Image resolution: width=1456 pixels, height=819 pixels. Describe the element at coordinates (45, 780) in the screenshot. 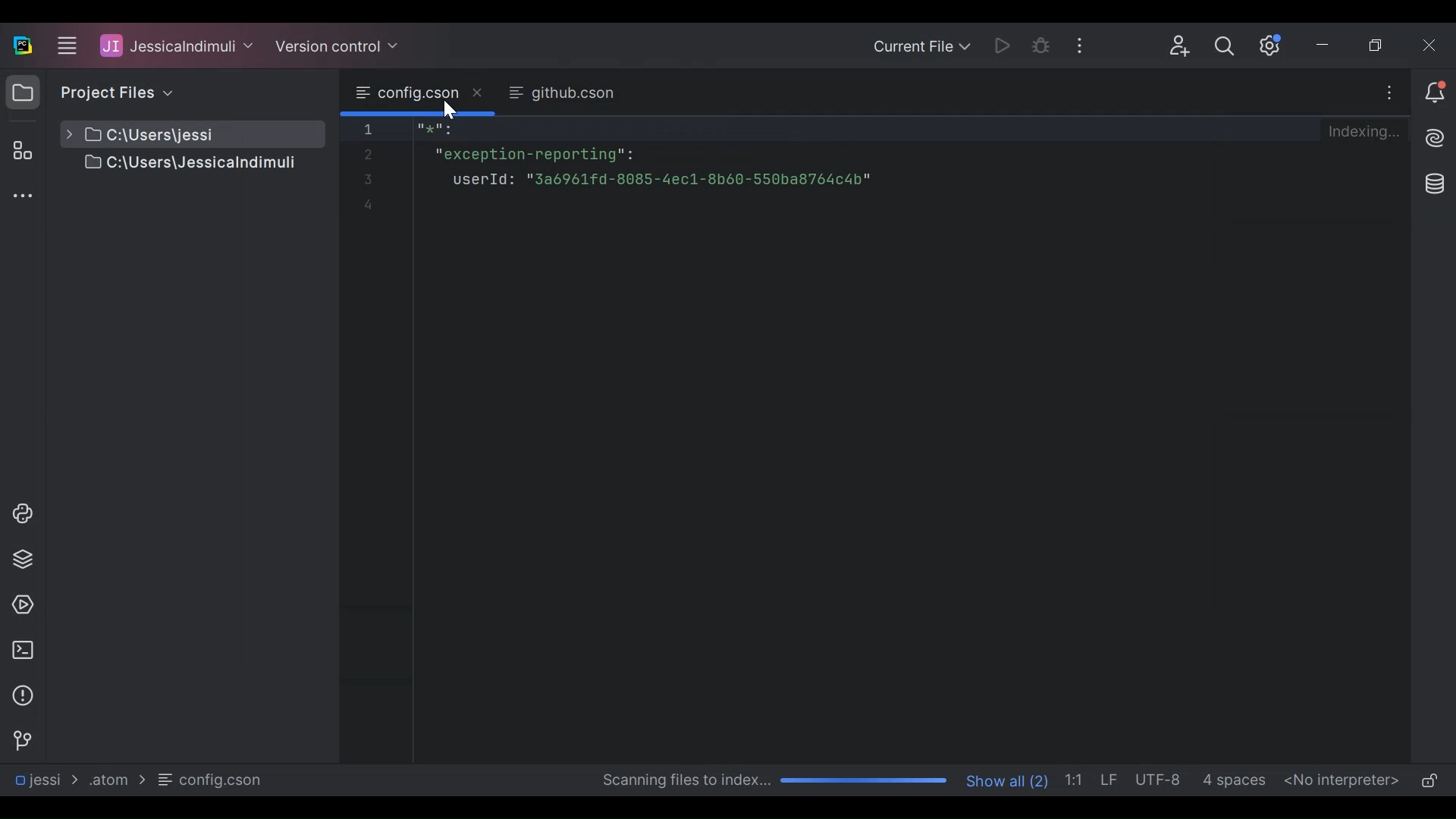

I see `Project File Path` at that location.